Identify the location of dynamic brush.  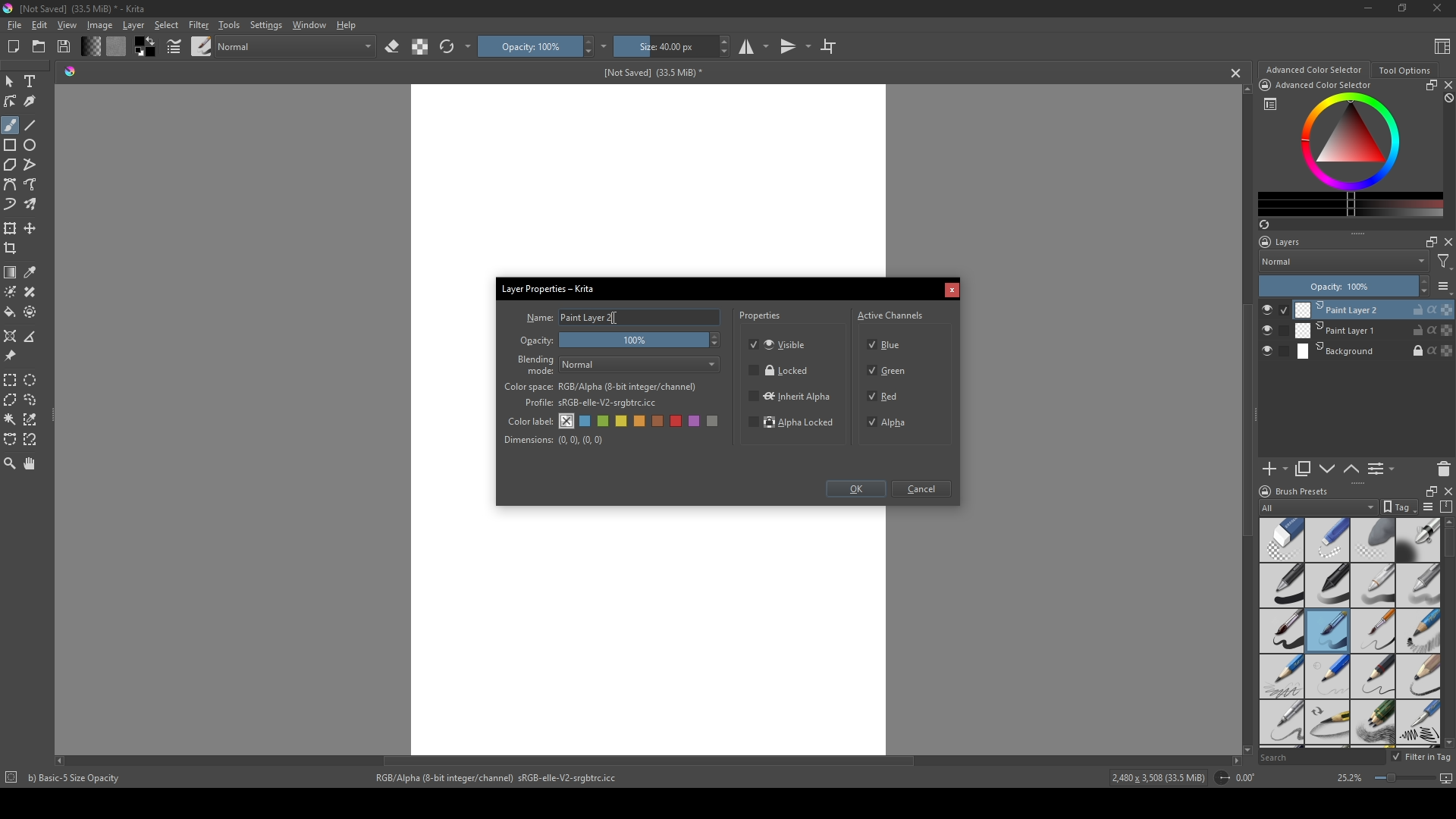
(11, 206).